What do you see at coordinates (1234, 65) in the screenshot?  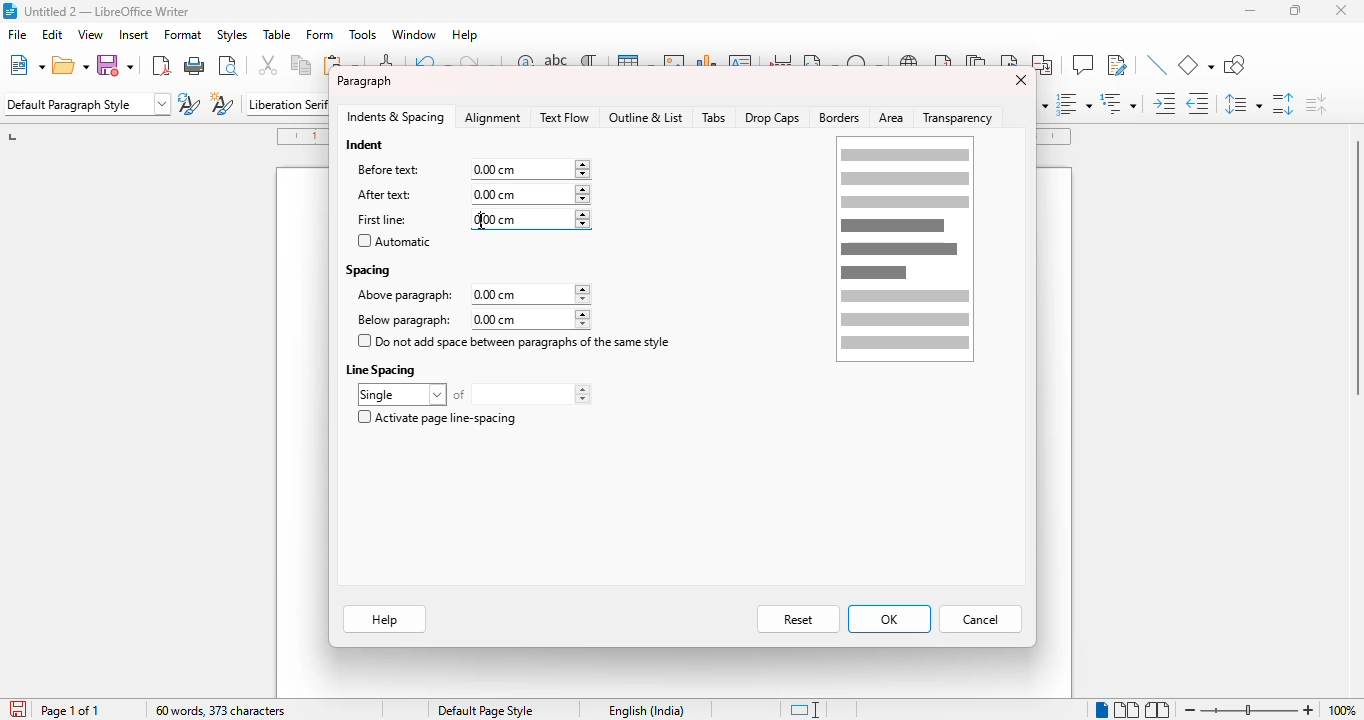 I see `show draw functions` at bounding box center [1234, 65].